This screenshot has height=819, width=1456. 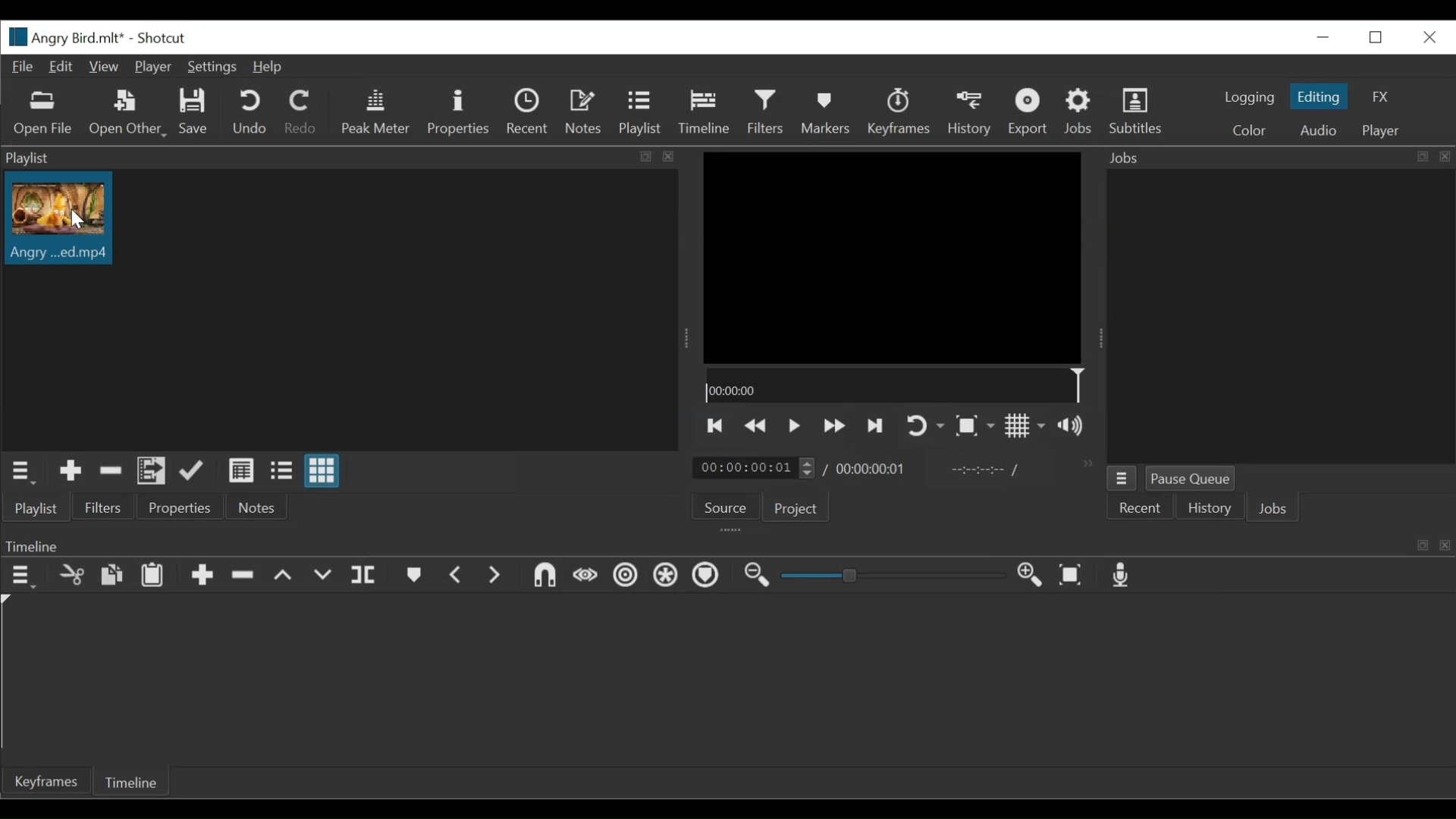 What do you see at coordinates (894, 257) in the screenshot?
I see `Media Viewer` at bounding box center [894, 257].